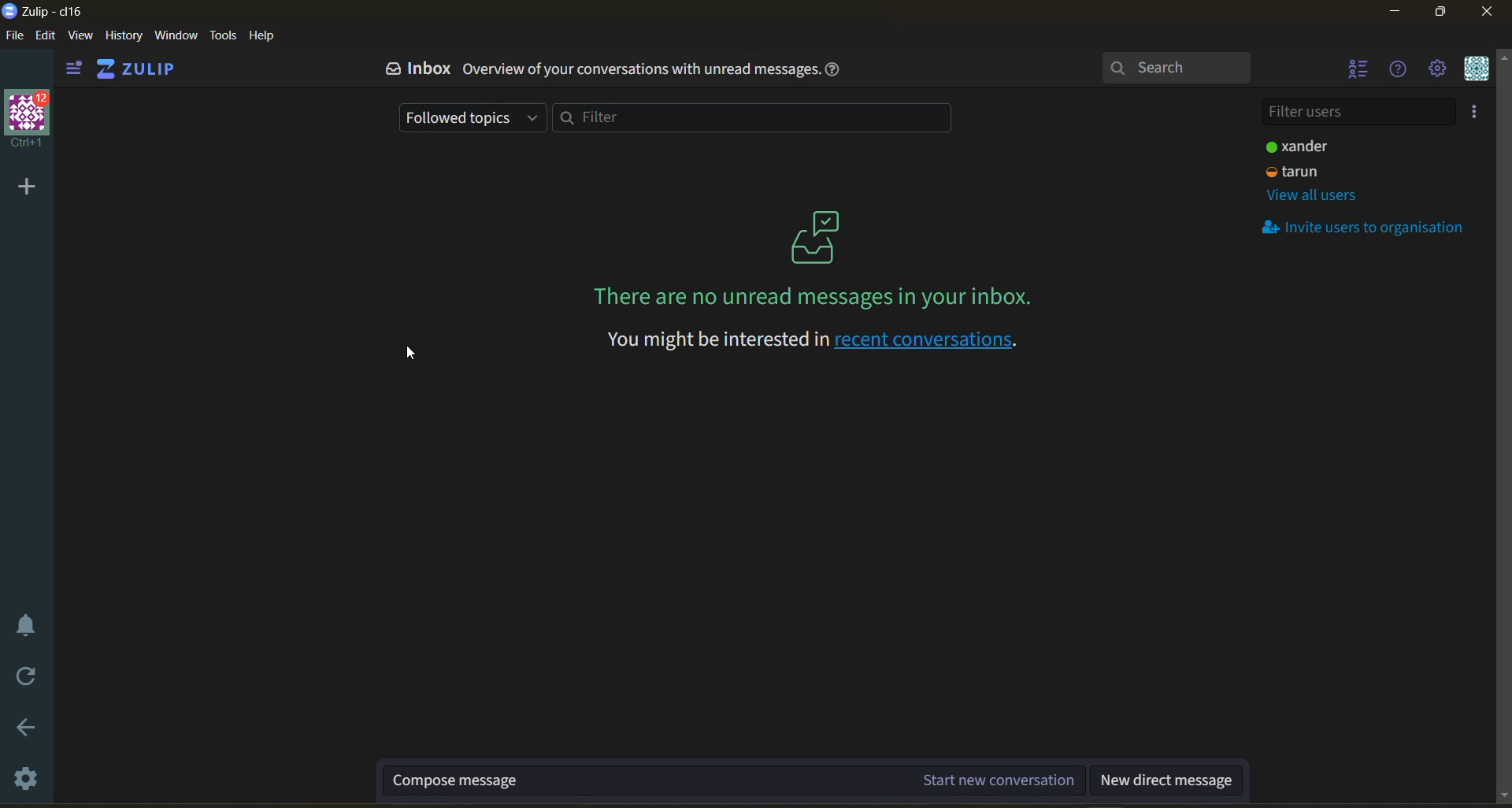 The height and width of the screenshot is (808, 1512). What do you see at coordinates (123, 36) in the screenshot?
I see `history` at bounding box center [123, 36].